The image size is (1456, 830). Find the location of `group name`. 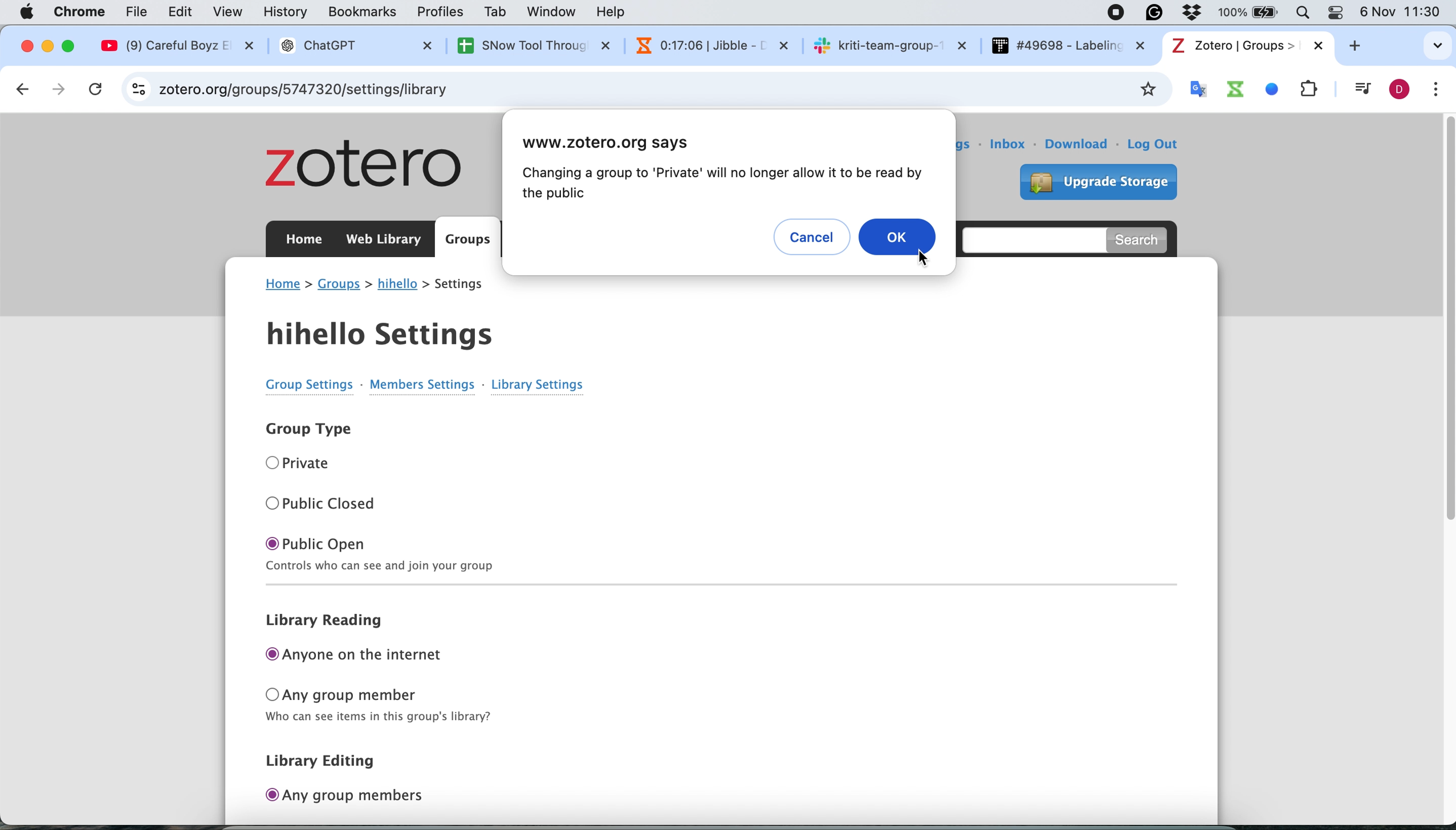

group name is located at coordinates (397, 285).